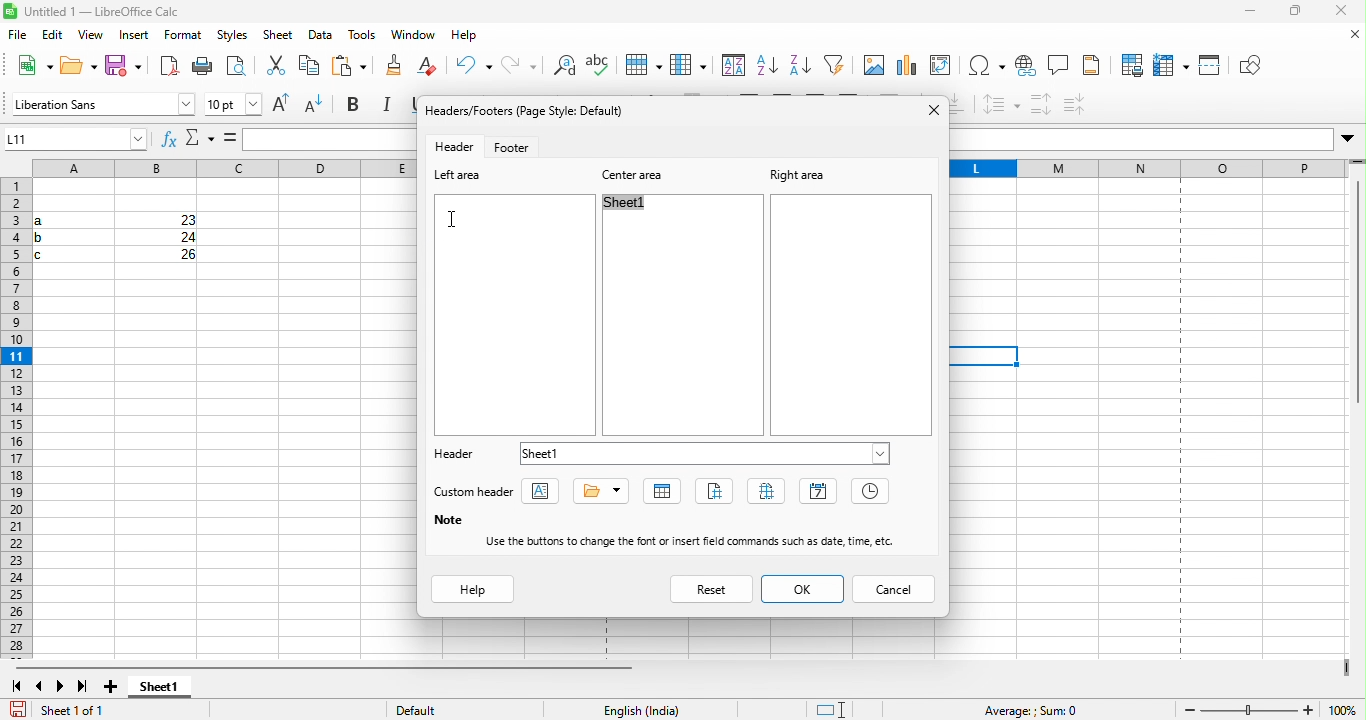 The image size is (1366, 720). What do you see at coordinates (1343, 12) in the screenshot?
I see `close` at bounding box center [1343, 12].